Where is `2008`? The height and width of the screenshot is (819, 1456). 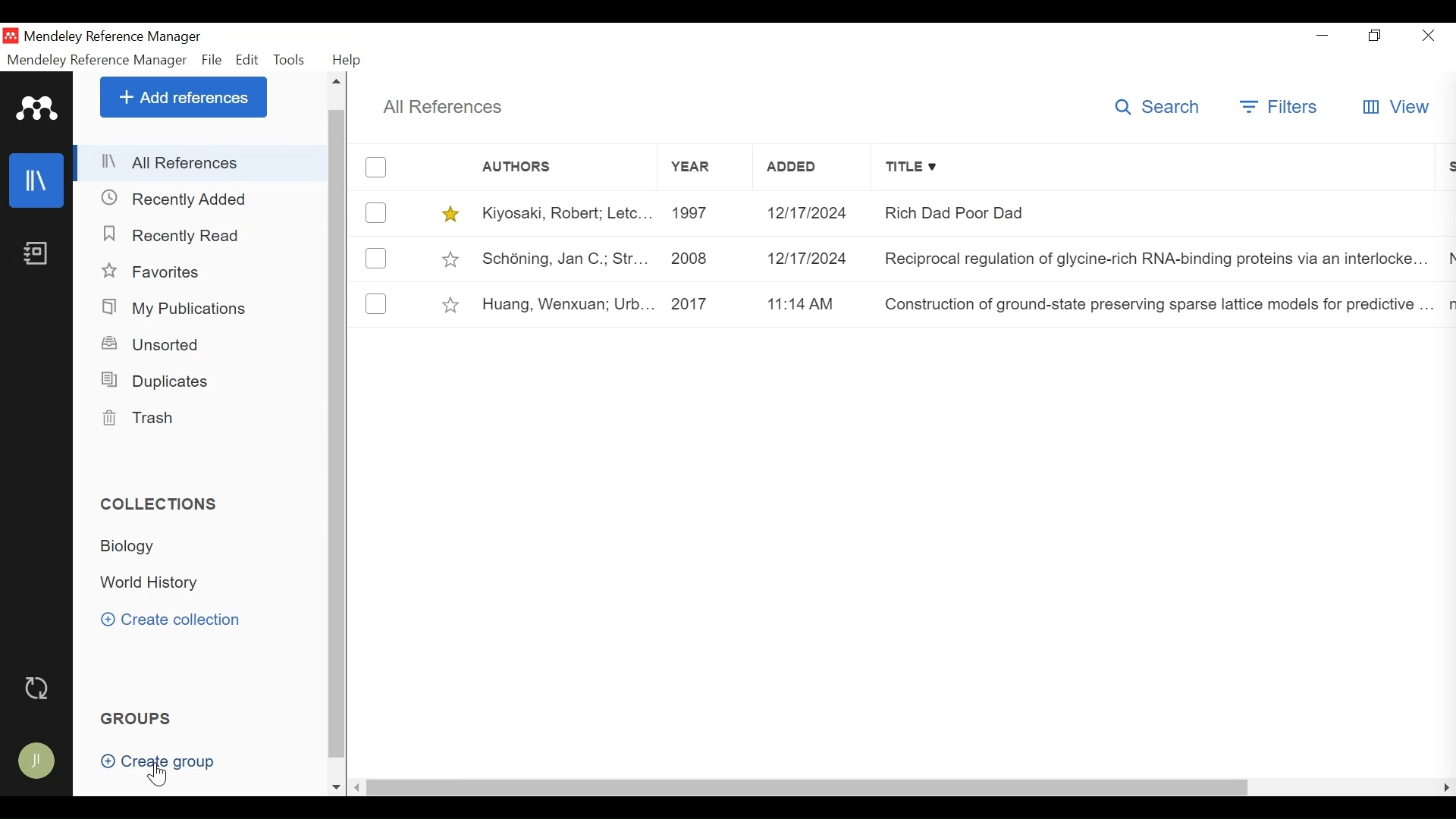 2008 is located at coordinates (704, 257).